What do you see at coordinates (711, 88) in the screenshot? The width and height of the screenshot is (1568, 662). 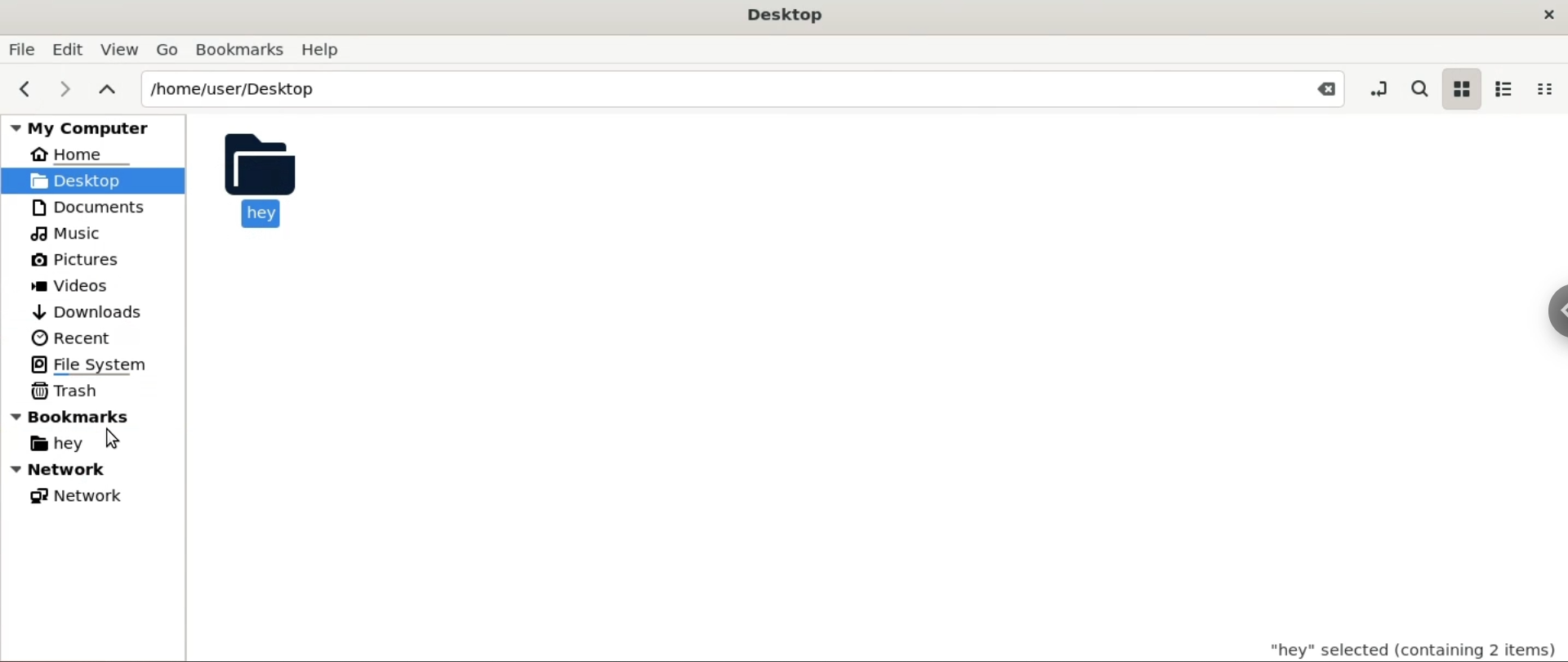 I see `/home/user/Desktop` at bounding box center [711, 88].